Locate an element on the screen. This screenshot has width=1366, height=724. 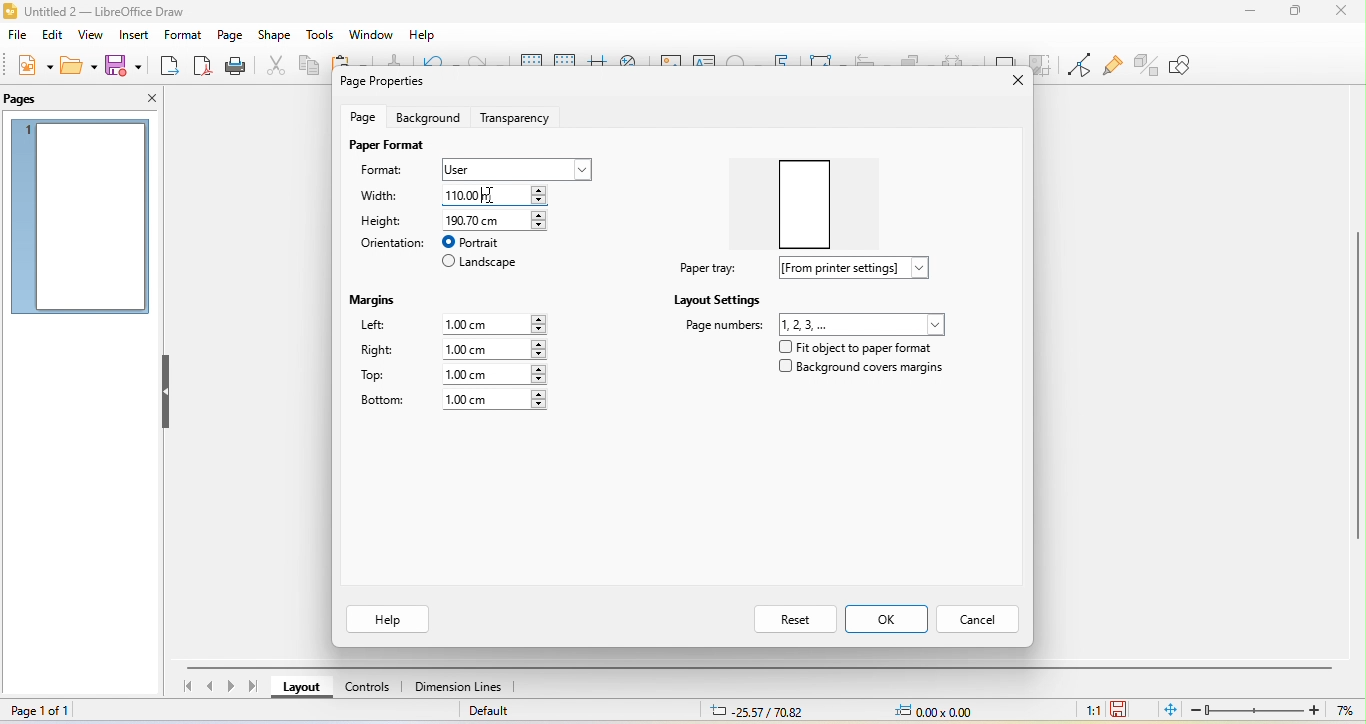
show gluepoint function is located at coordinates (1110, 66).